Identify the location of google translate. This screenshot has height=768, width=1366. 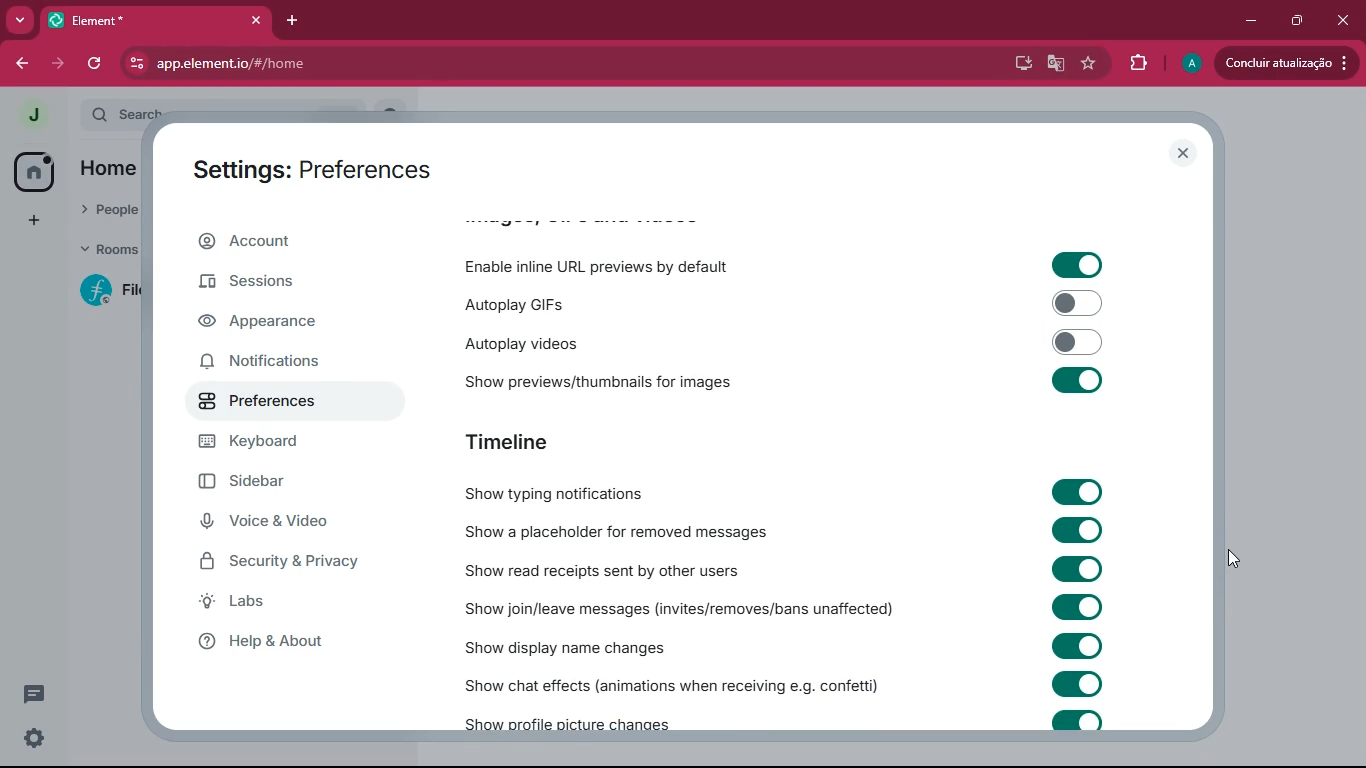
(1060, 63).